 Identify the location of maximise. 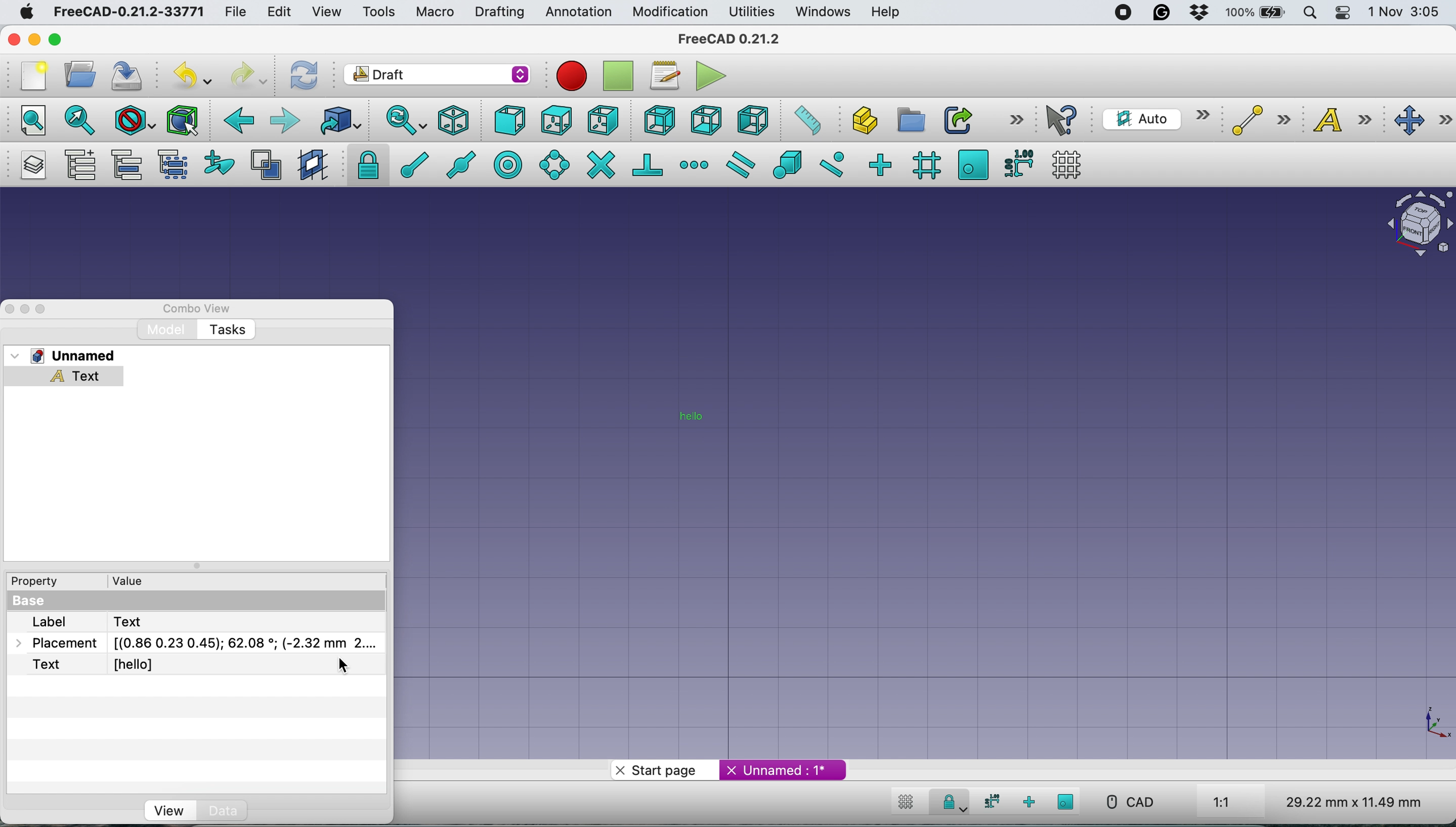
(56, 39).